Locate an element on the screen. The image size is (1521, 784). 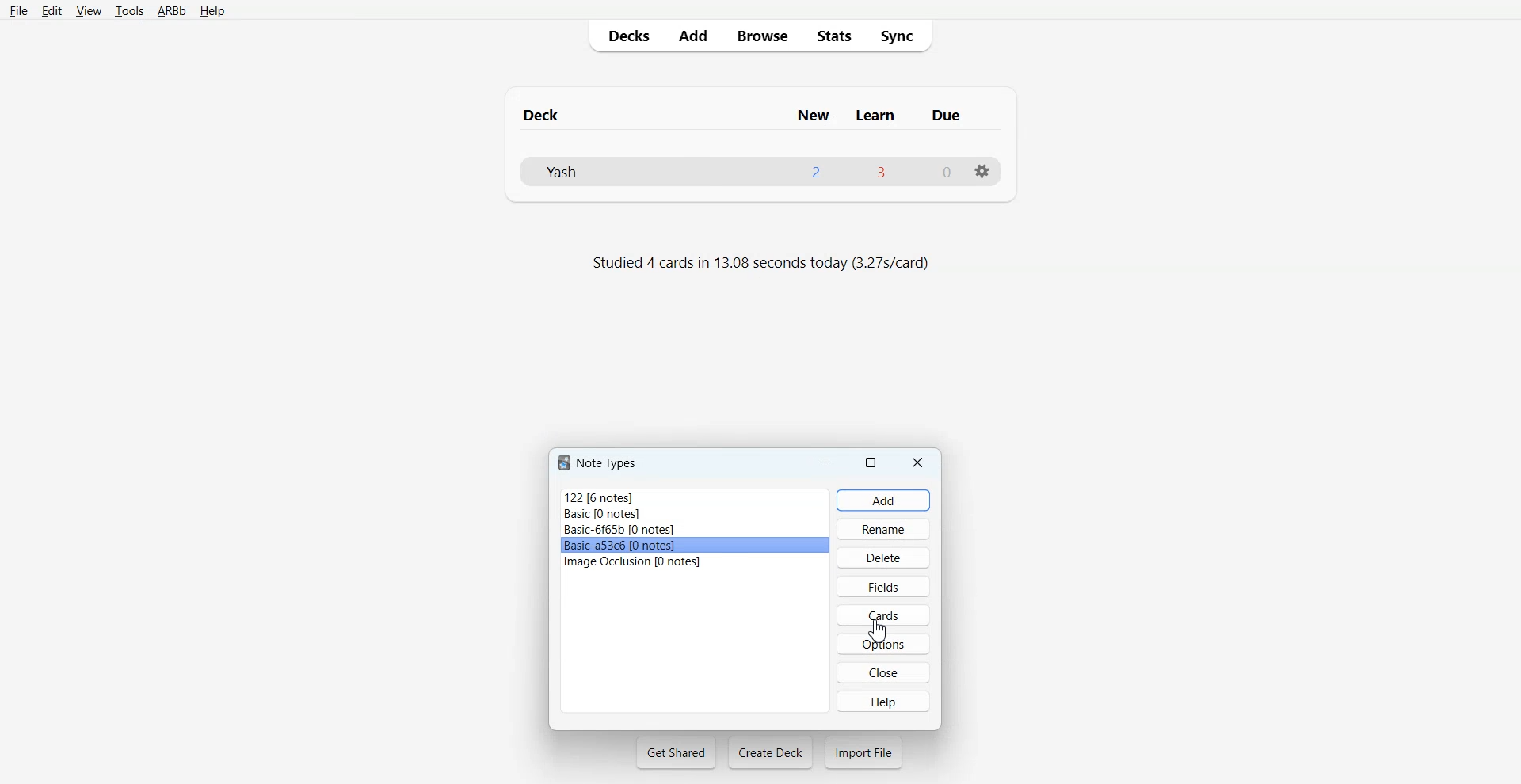
Get Shared is located at coordinates (677, 752).